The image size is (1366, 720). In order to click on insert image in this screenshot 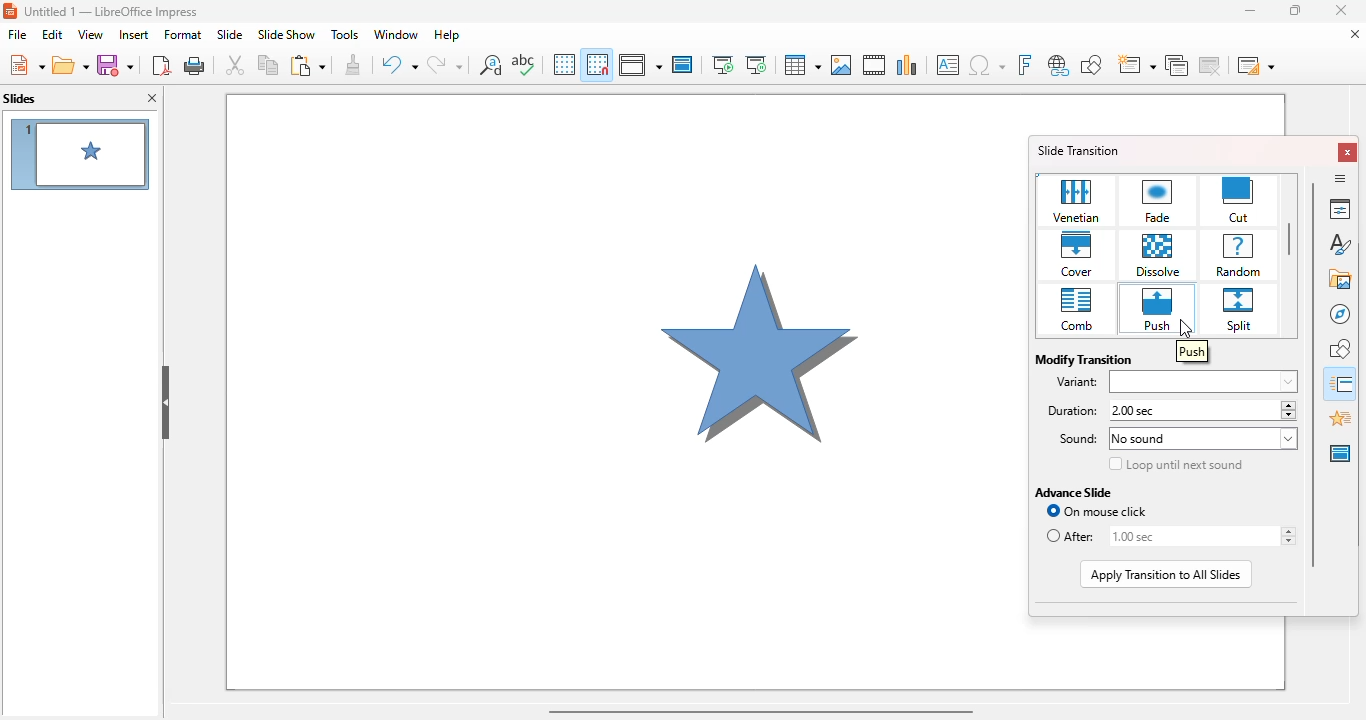, I will do `click(843, 65)`.